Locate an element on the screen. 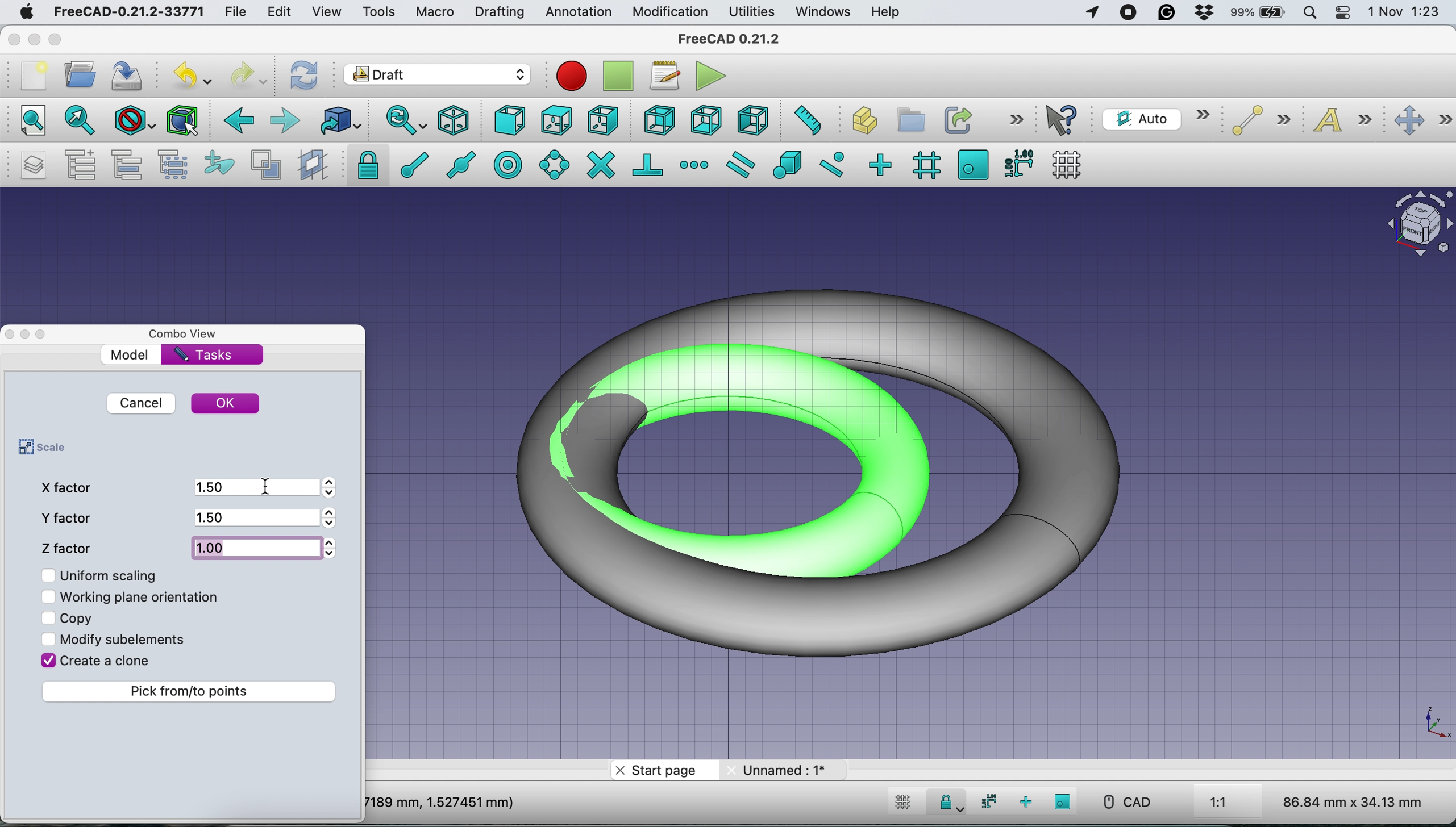  1 Nov 1:23 is located at coordinates (1403, 12).